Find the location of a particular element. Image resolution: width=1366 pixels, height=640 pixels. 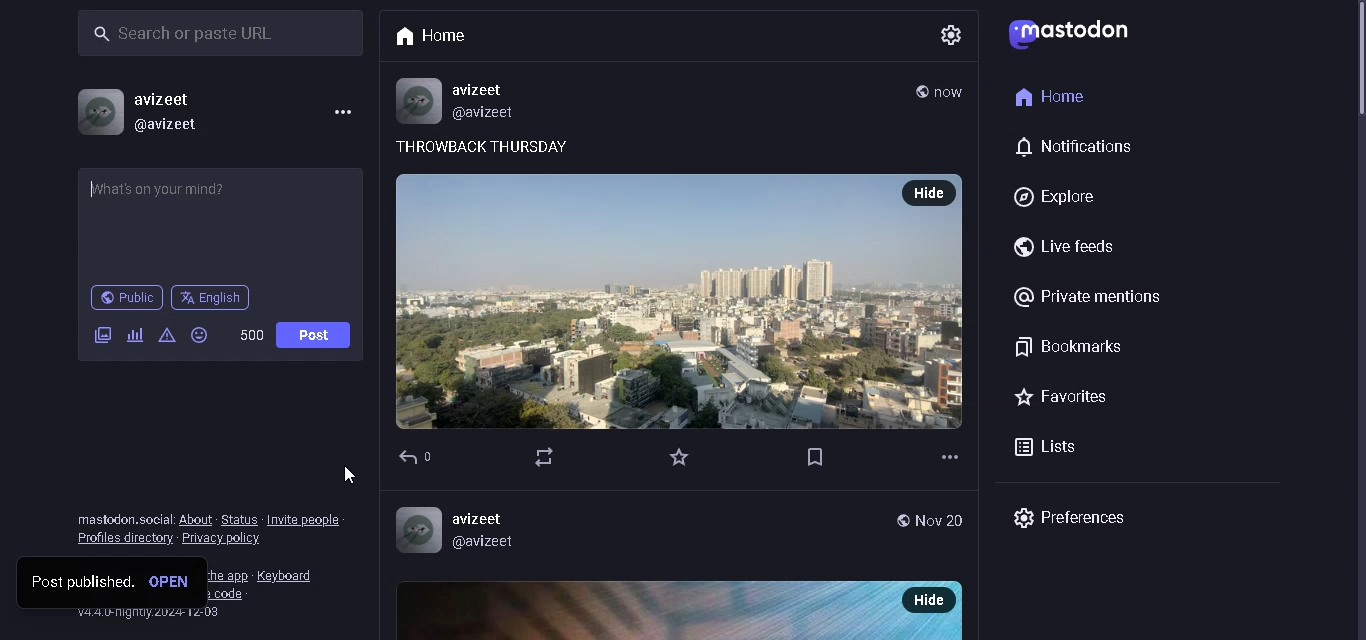

@avizeet is located at coordinates (490, 543).